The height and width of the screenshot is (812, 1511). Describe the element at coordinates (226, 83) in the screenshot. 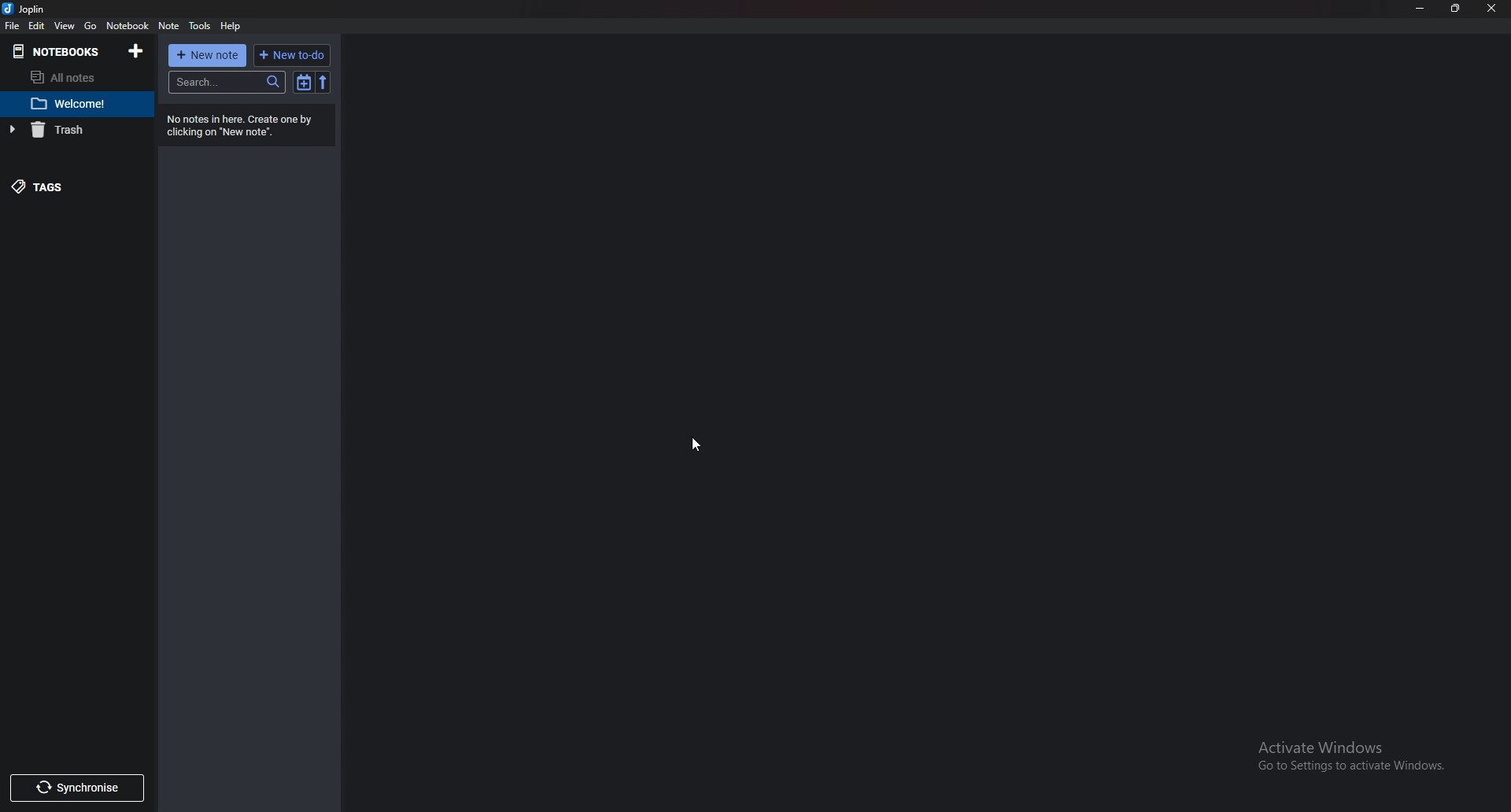

I see `search` at that location.